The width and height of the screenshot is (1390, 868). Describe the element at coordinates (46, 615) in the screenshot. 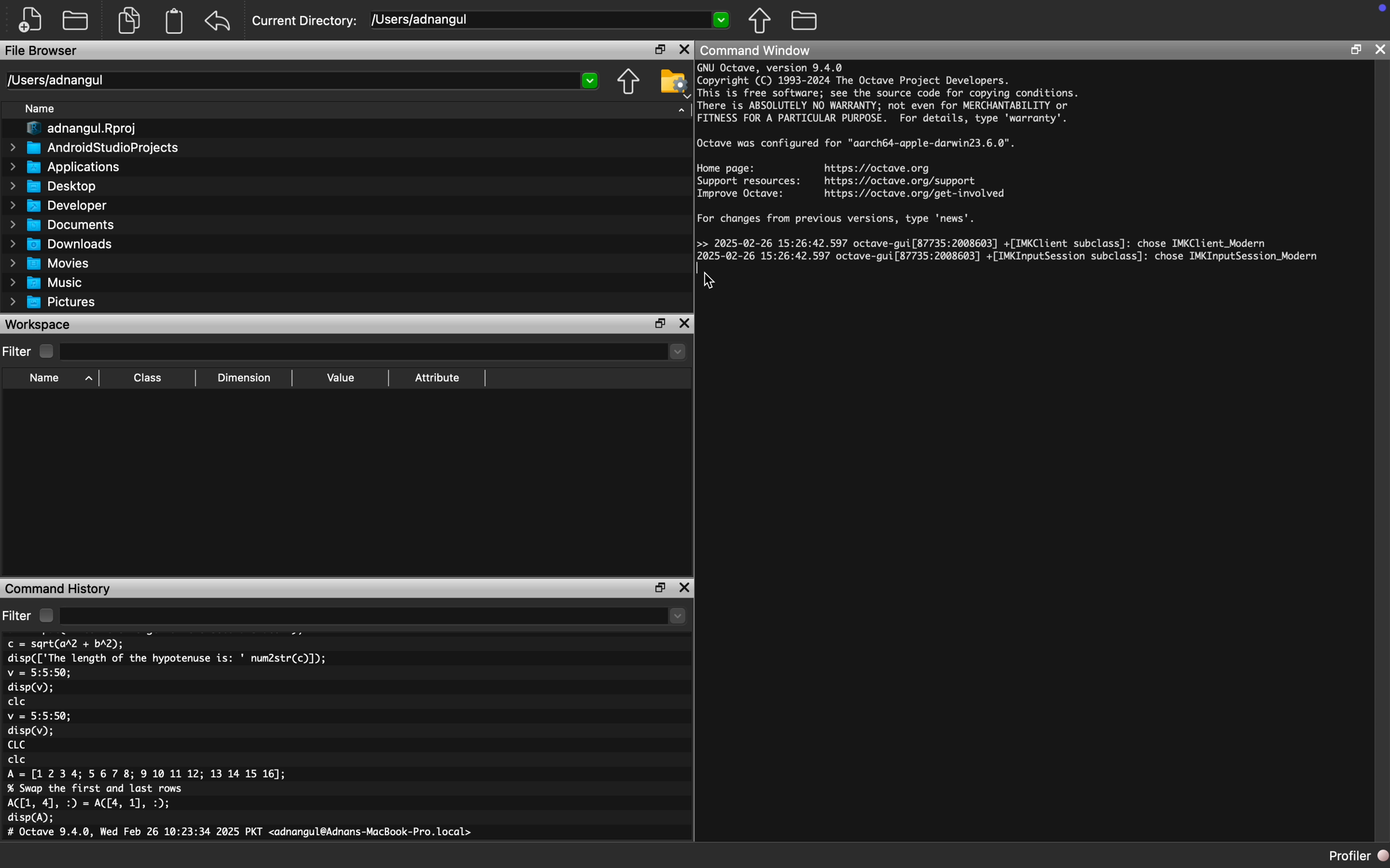

I see `Checkbox` at that location.